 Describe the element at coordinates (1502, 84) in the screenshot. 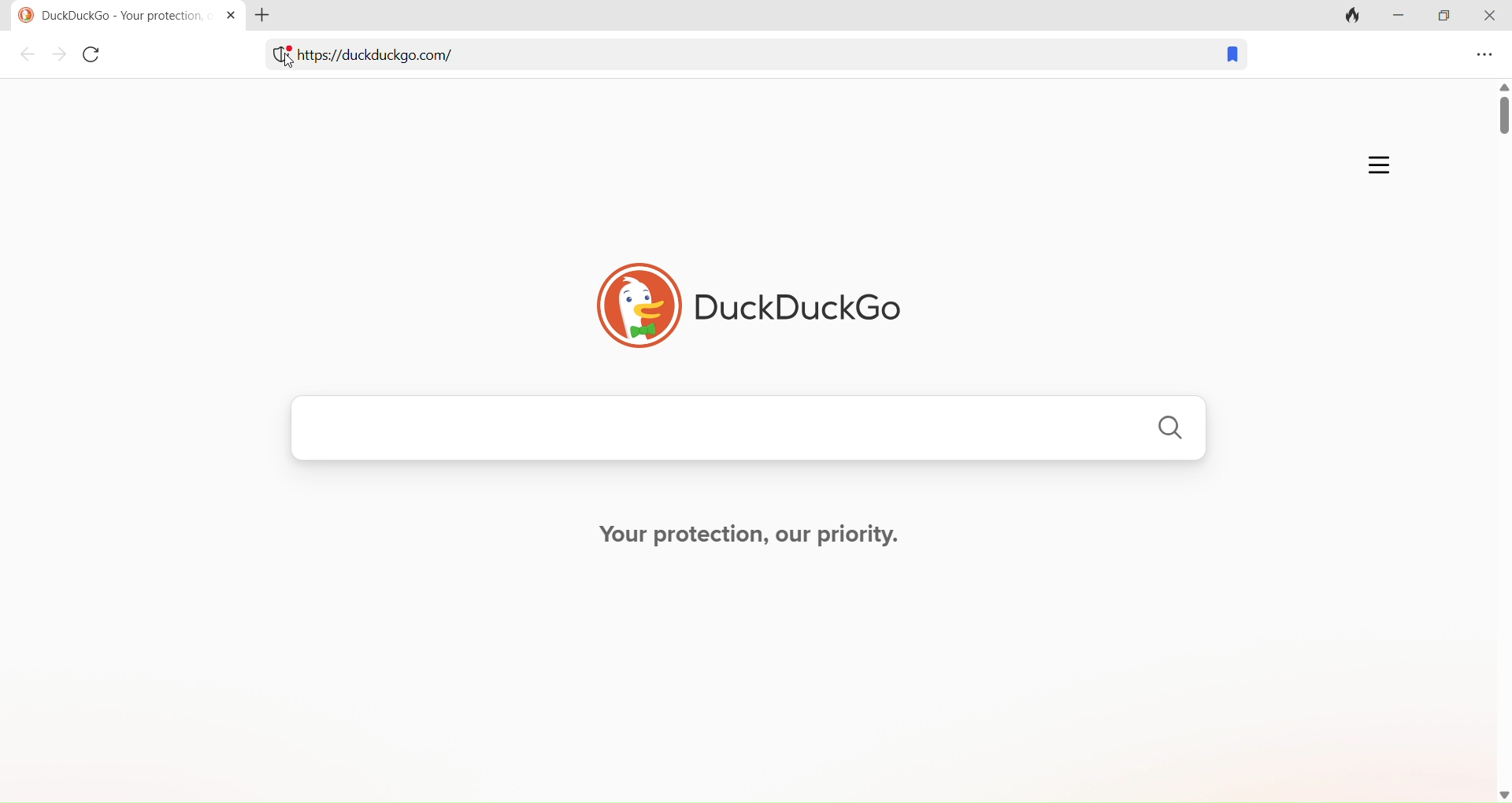

I see `up` at that location.